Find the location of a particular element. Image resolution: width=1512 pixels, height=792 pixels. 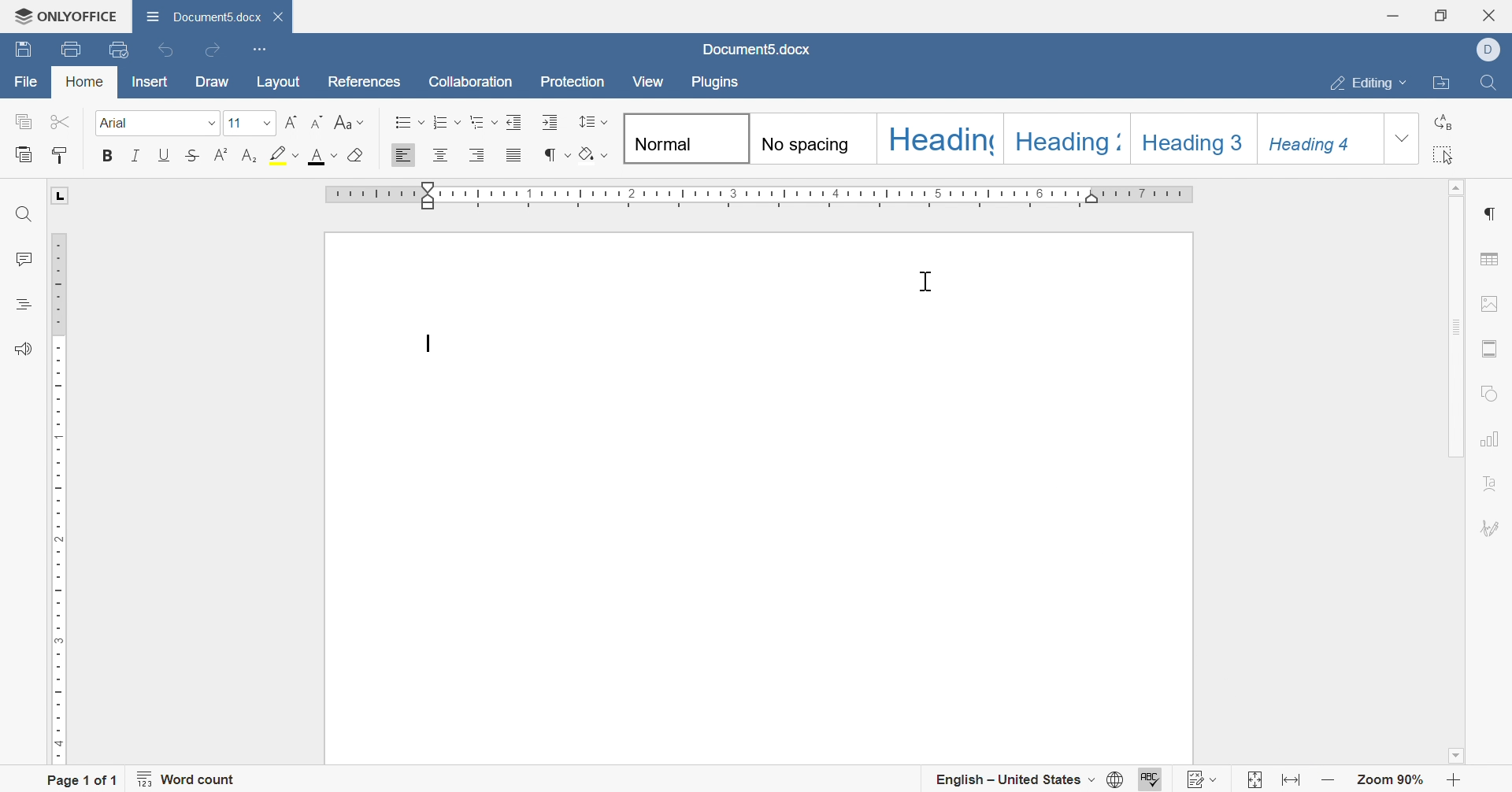

increment font size is located at coordinates (289, 124).